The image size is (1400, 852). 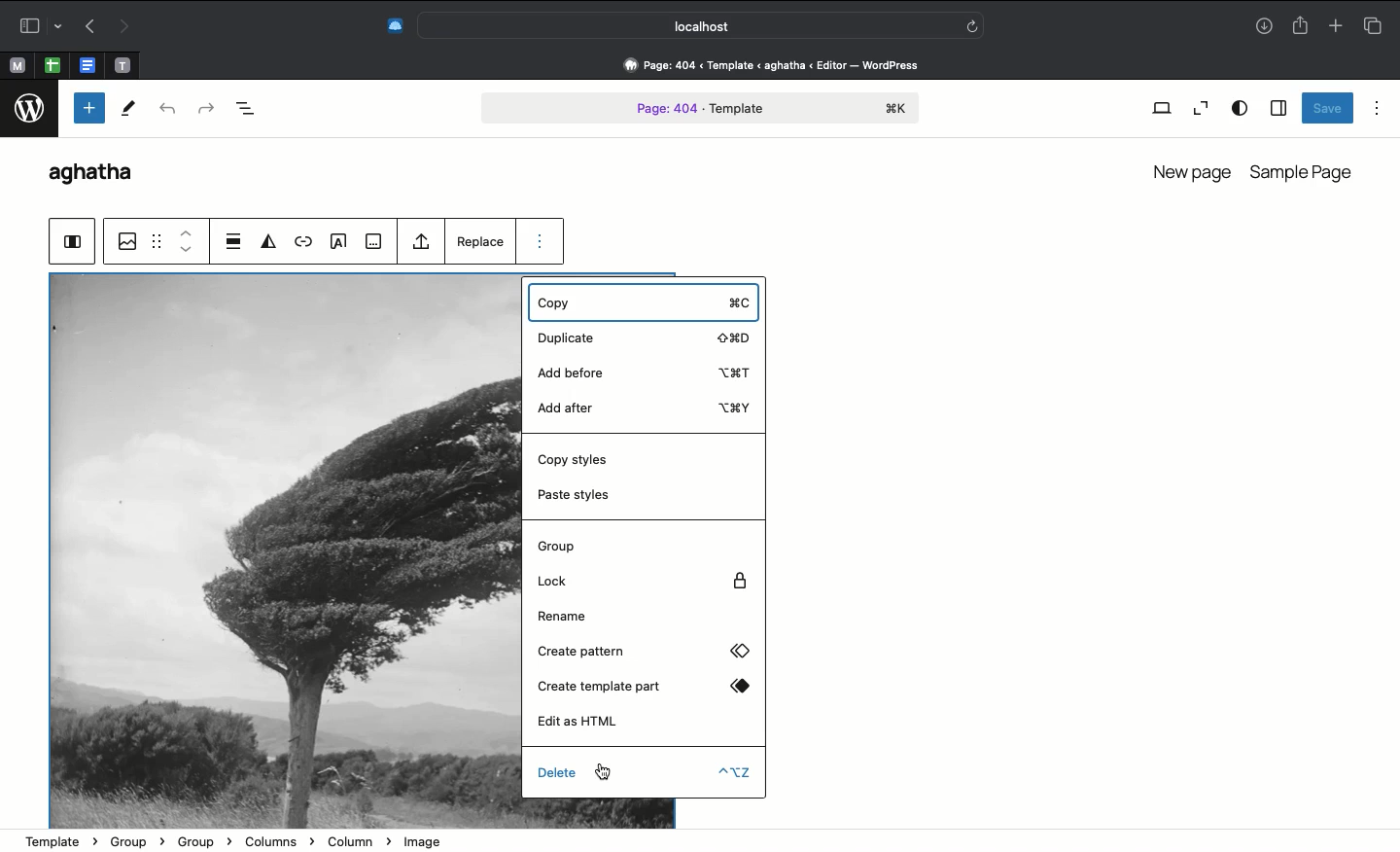 I want to click on New page, so click(x=1189, y=169).